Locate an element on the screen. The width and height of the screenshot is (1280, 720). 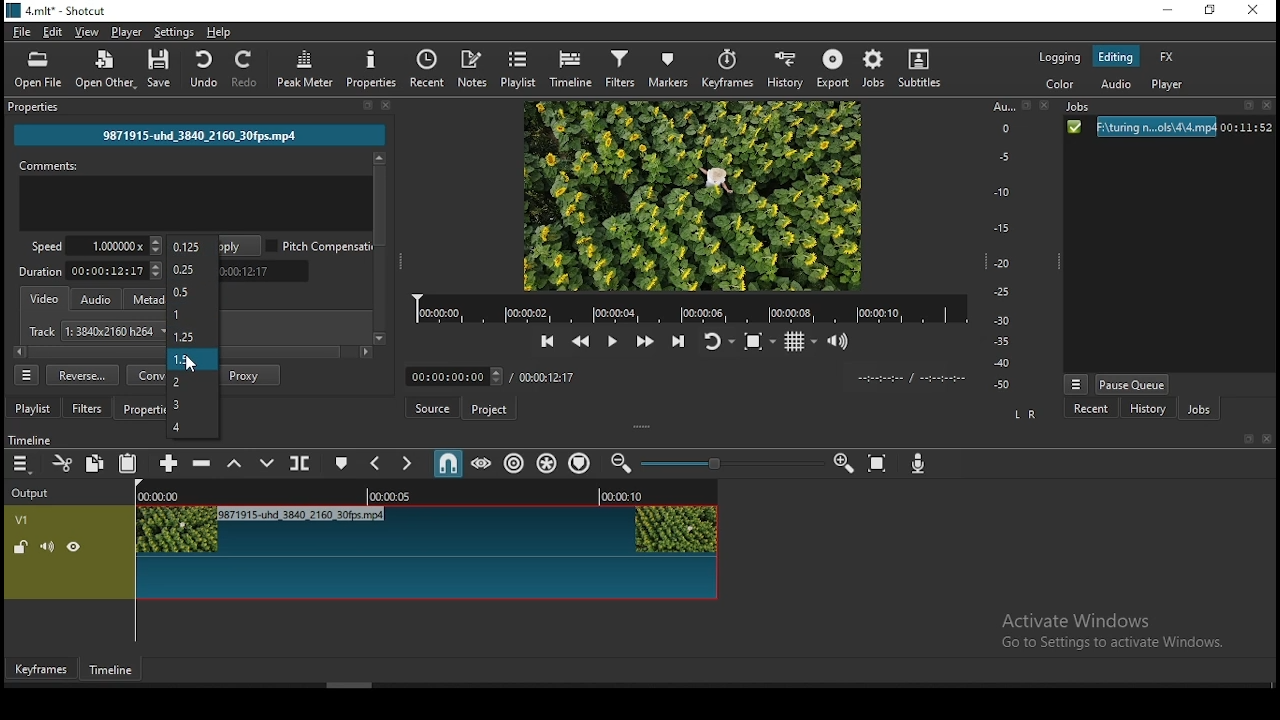
minimize is located at coordinates (1171, 11).